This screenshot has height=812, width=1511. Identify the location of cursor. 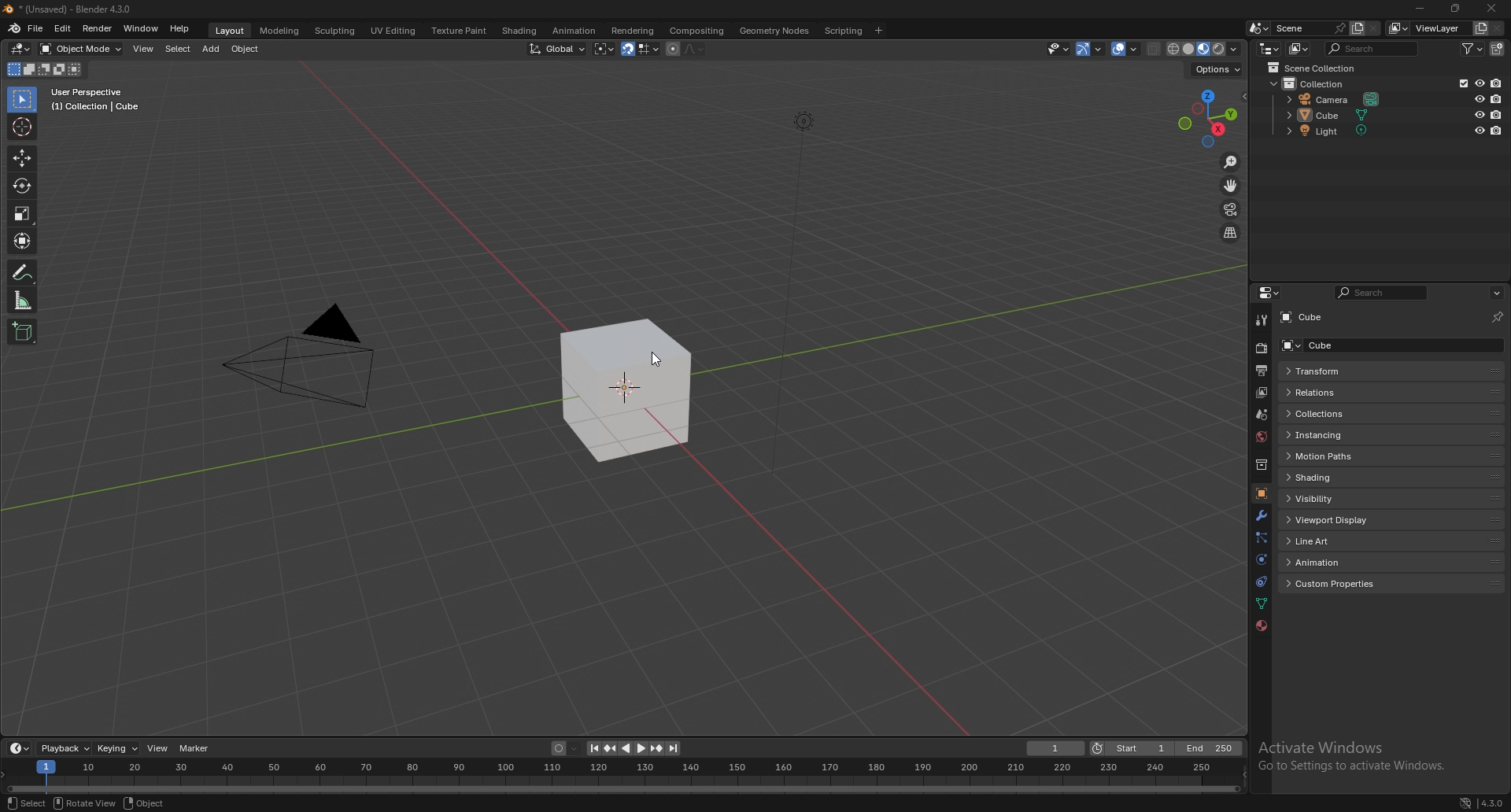
(656, 360).